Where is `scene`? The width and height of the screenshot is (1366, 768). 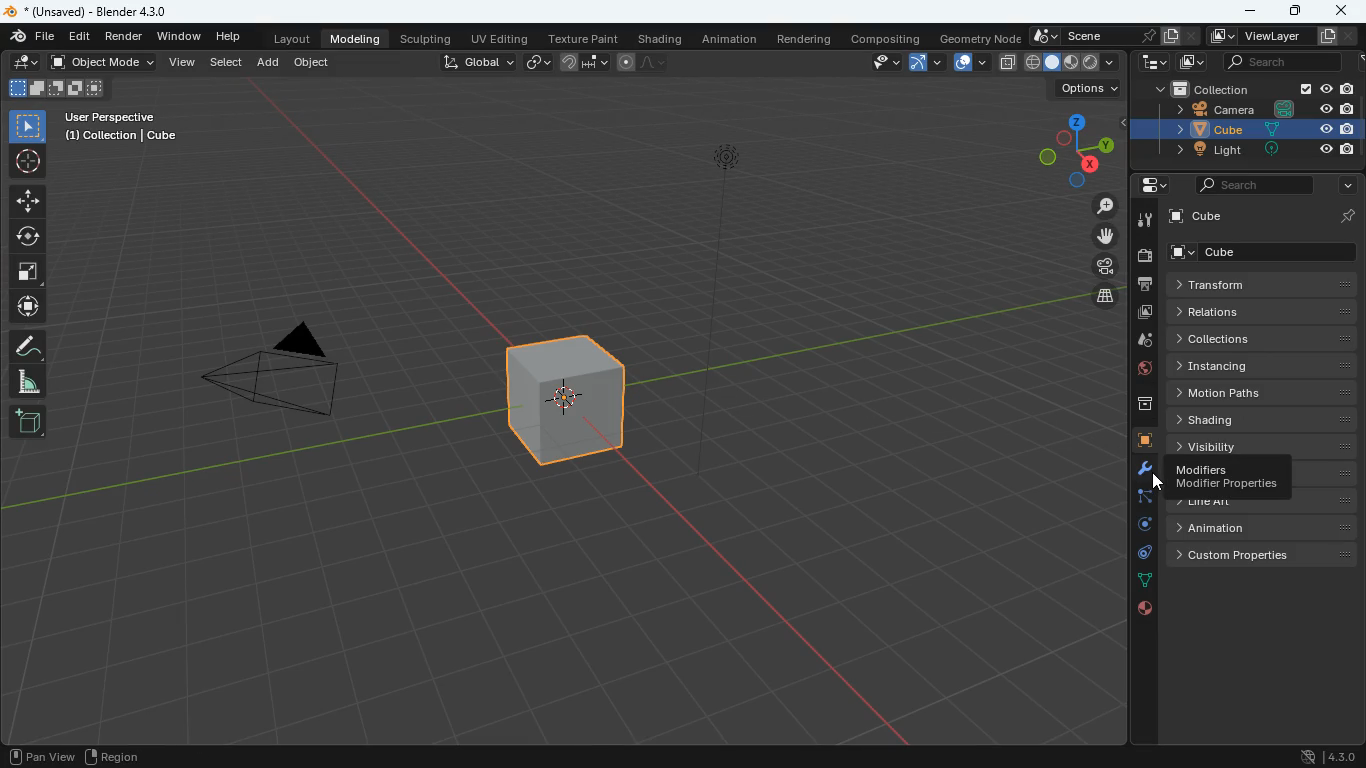 scene is located at coordinates (1115, 36).